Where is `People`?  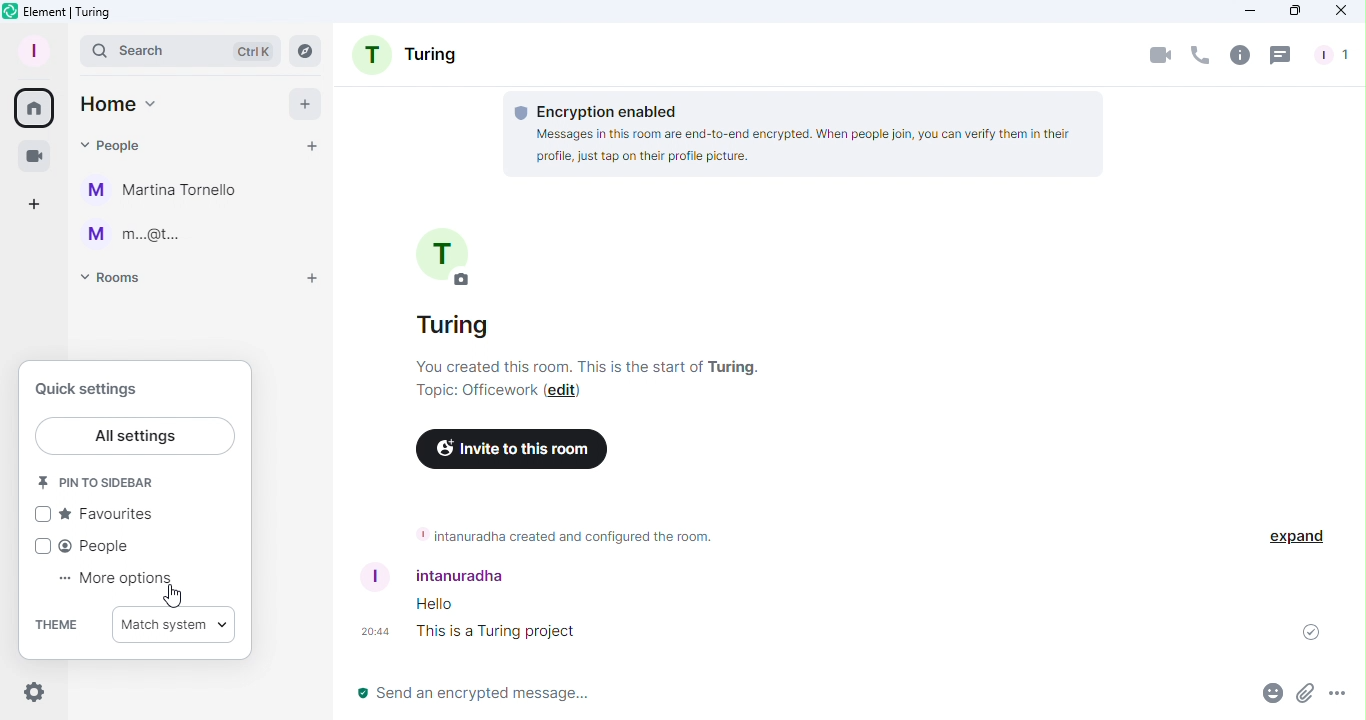 People is located at coordinates (90, 542).